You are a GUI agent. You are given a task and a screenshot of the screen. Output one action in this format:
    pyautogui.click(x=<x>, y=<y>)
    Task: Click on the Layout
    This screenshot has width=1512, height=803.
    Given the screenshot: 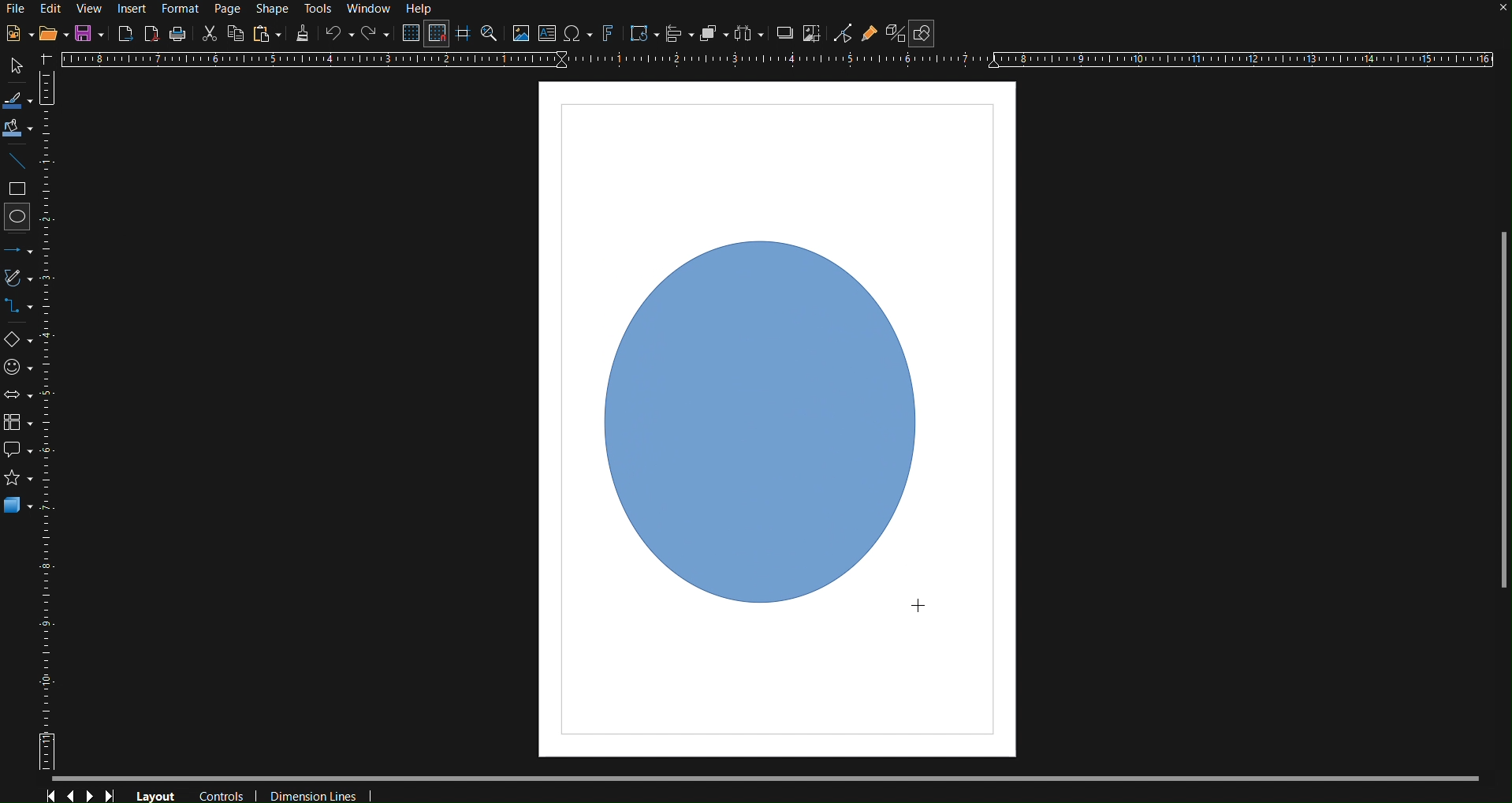 What is the action you would take?
    pyautogui.click(x=156, y=794)
    